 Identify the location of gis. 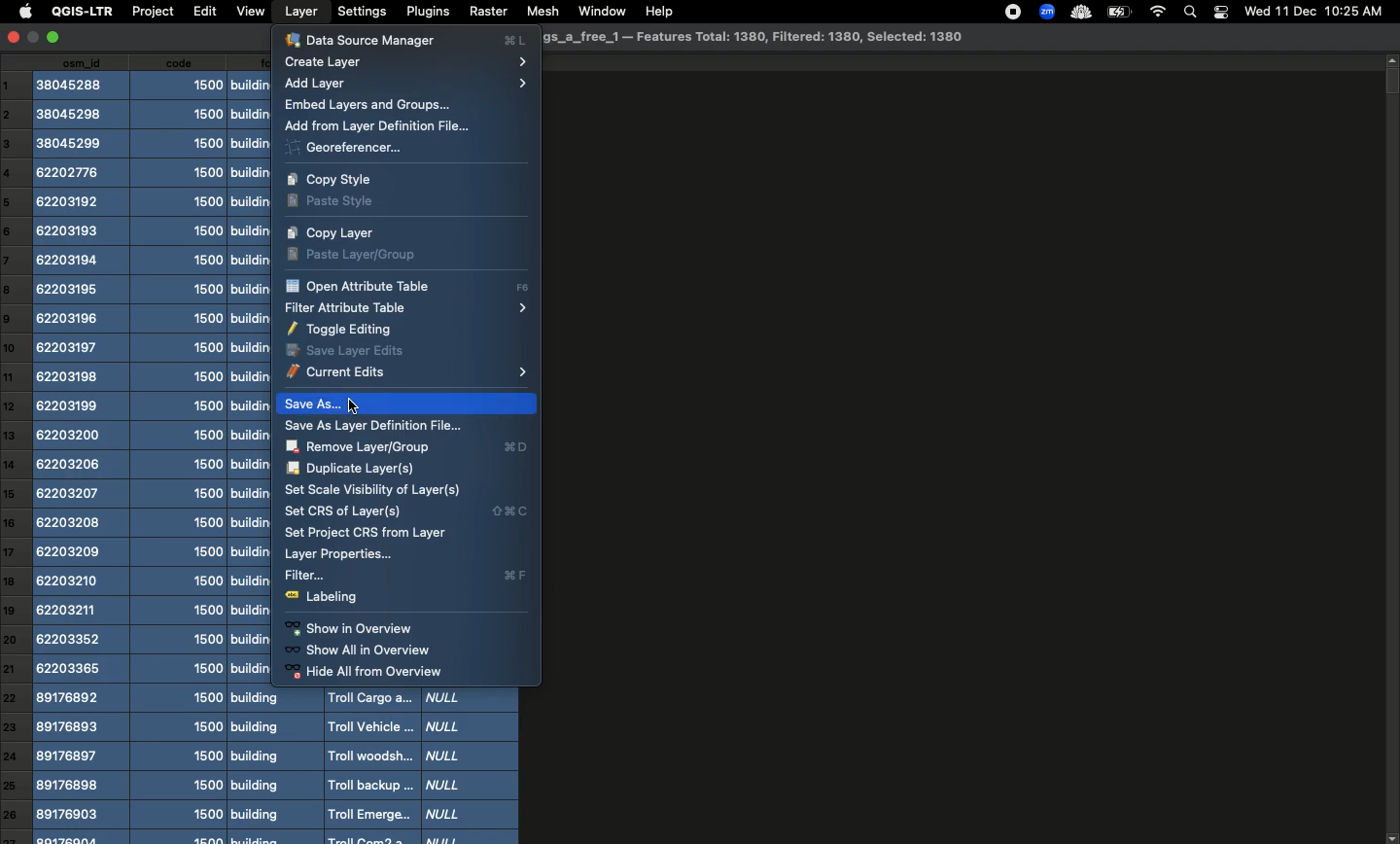
(752, 38).